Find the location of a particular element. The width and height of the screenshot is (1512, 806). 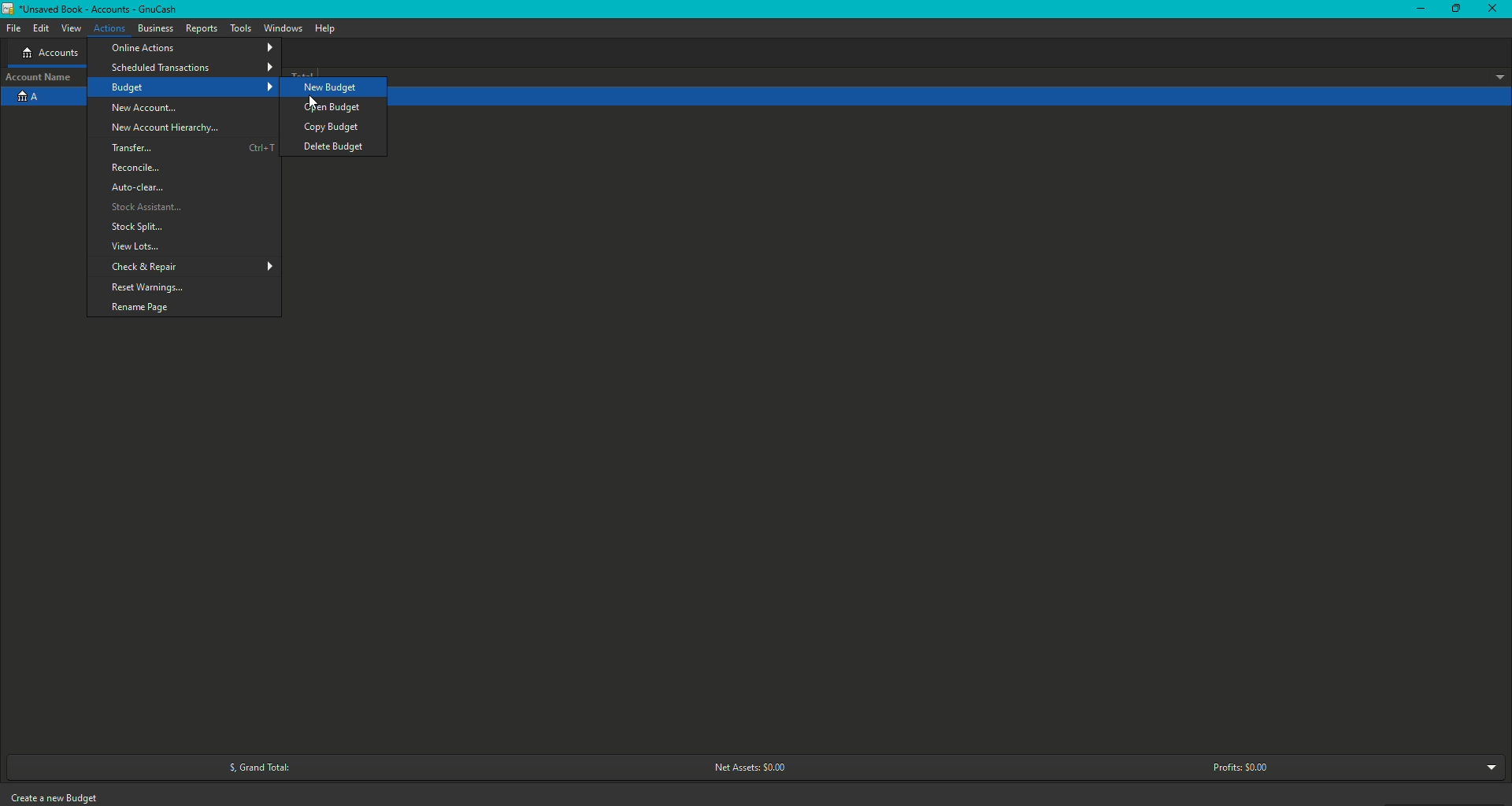

File is located at coordinates (12, 28).